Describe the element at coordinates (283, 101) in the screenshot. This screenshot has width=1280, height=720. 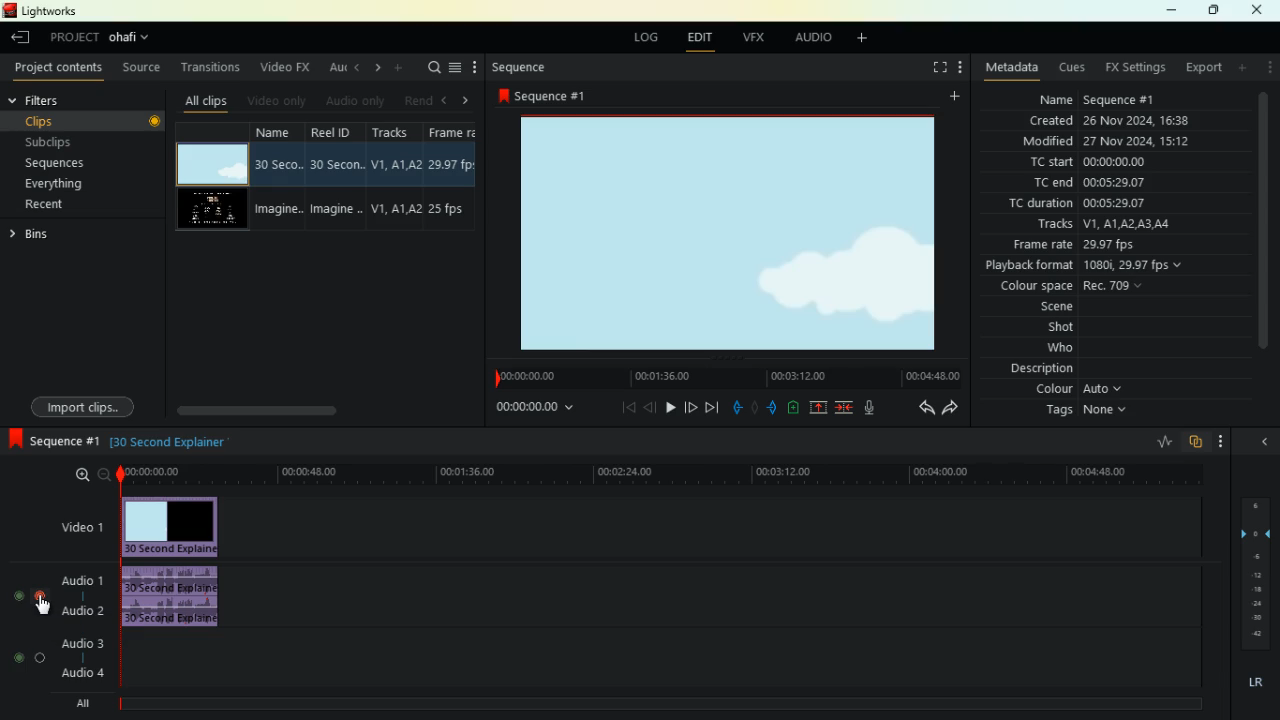
I see `video only` at that location.